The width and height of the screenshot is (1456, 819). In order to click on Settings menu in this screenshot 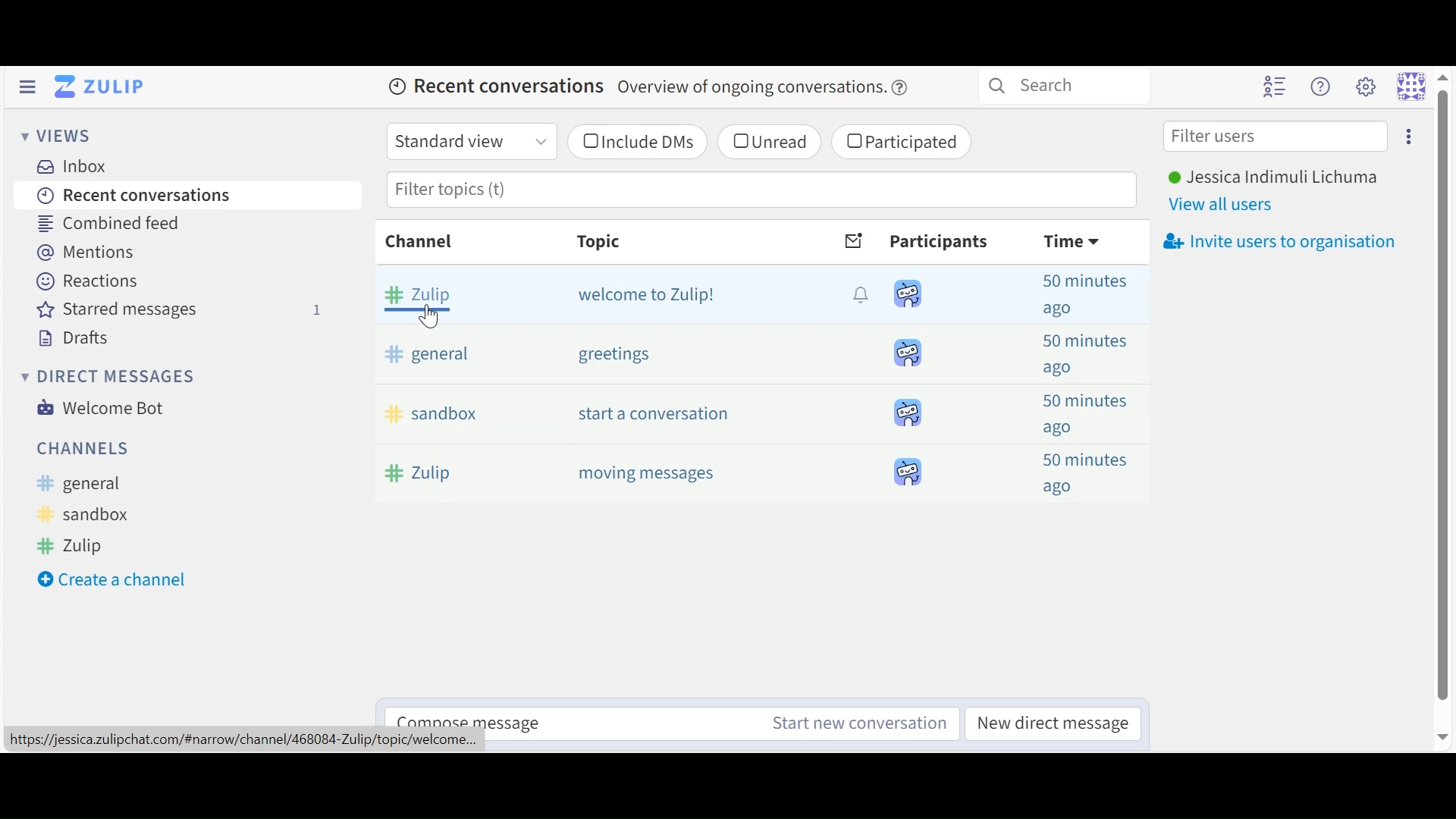, I will do `click(1369, 86)`.